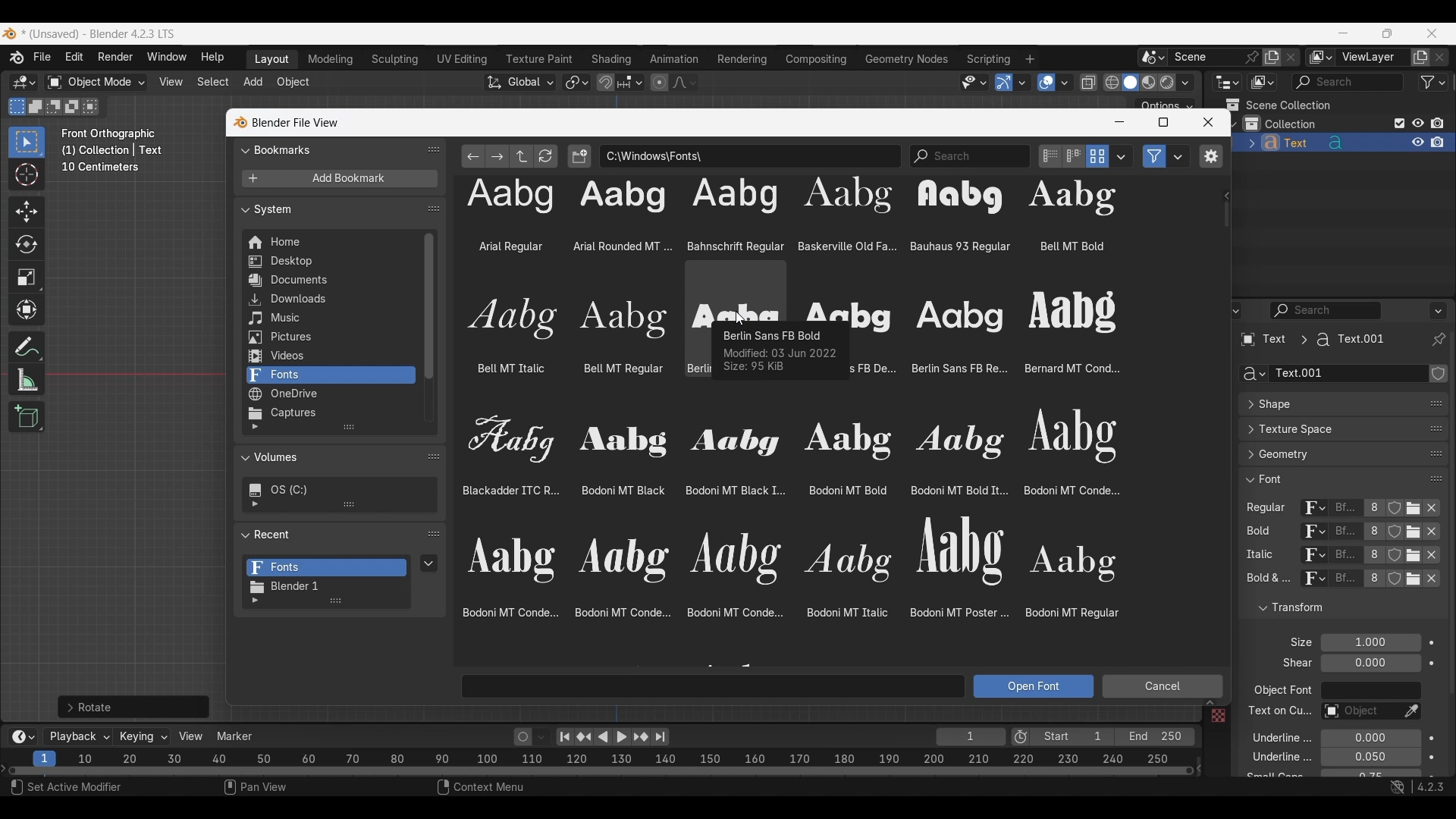  I want to click on Captures folder, so click(330, 413).